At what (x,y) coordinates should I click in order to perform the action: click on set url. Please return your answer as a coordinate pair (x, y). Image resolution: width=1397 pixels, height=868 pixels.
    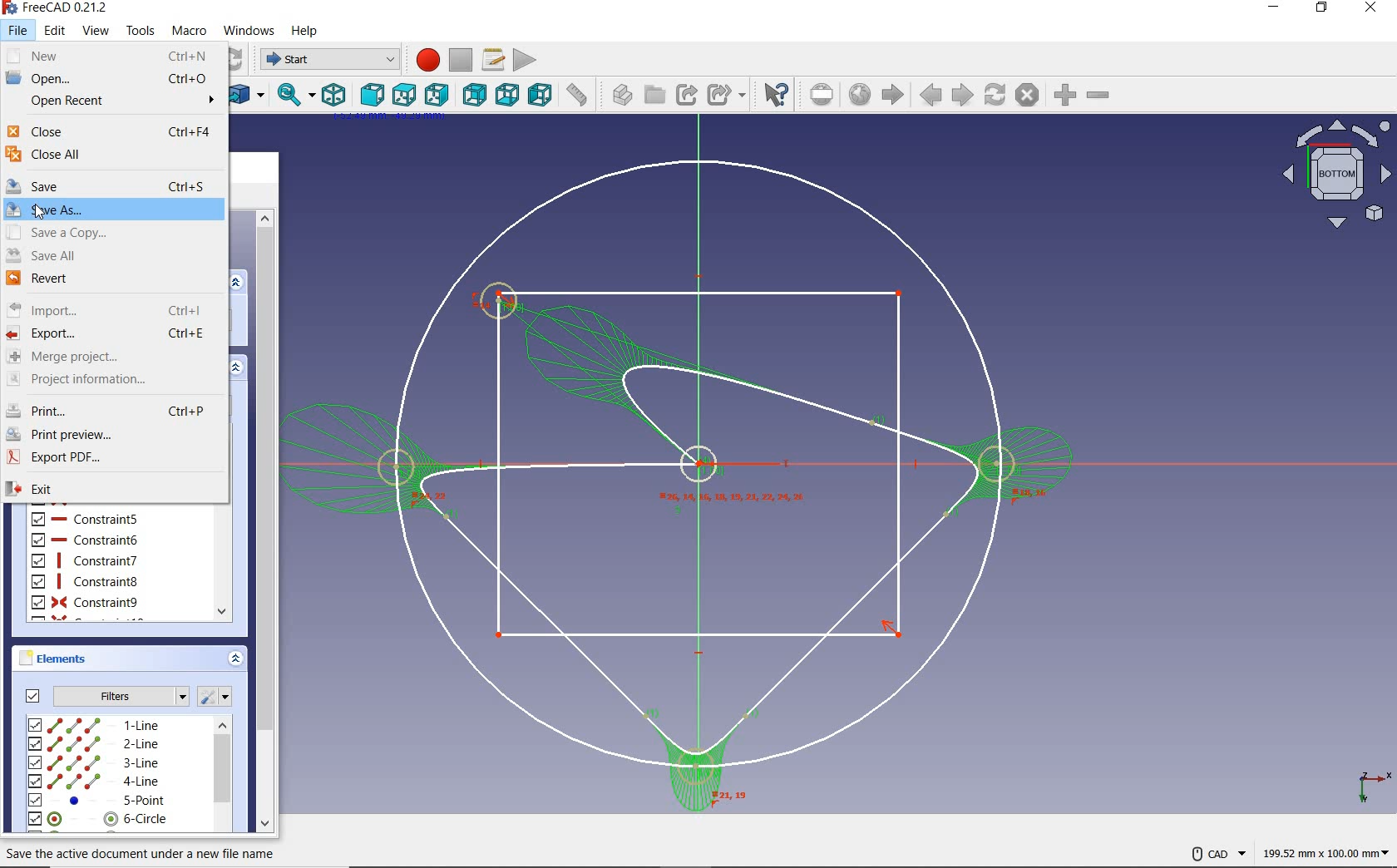
    Looking at the image, I should click on (823, 95).